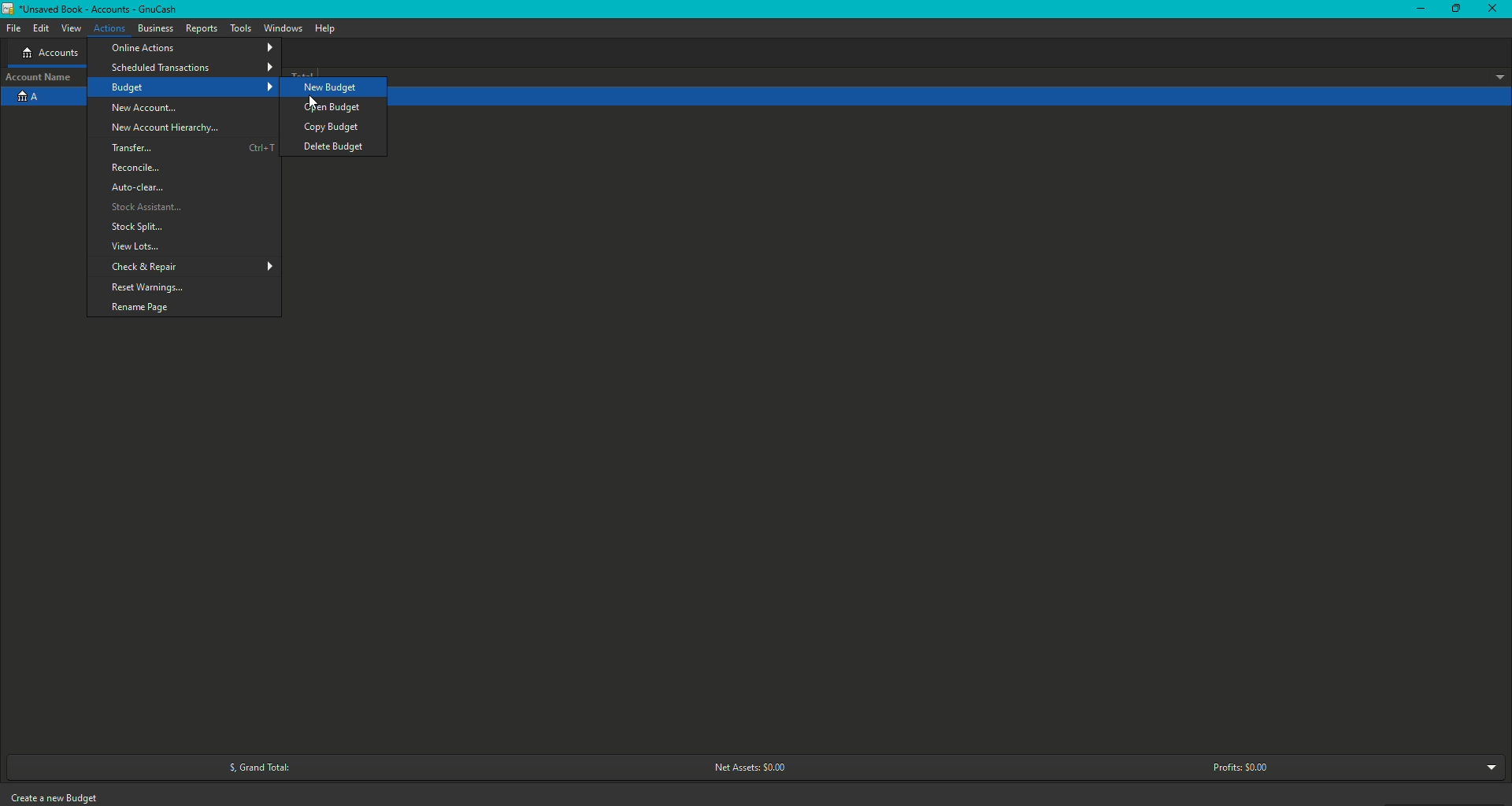  Describe the element at coordinates (323, 28) in the screenshot. I see `Help` at that location.